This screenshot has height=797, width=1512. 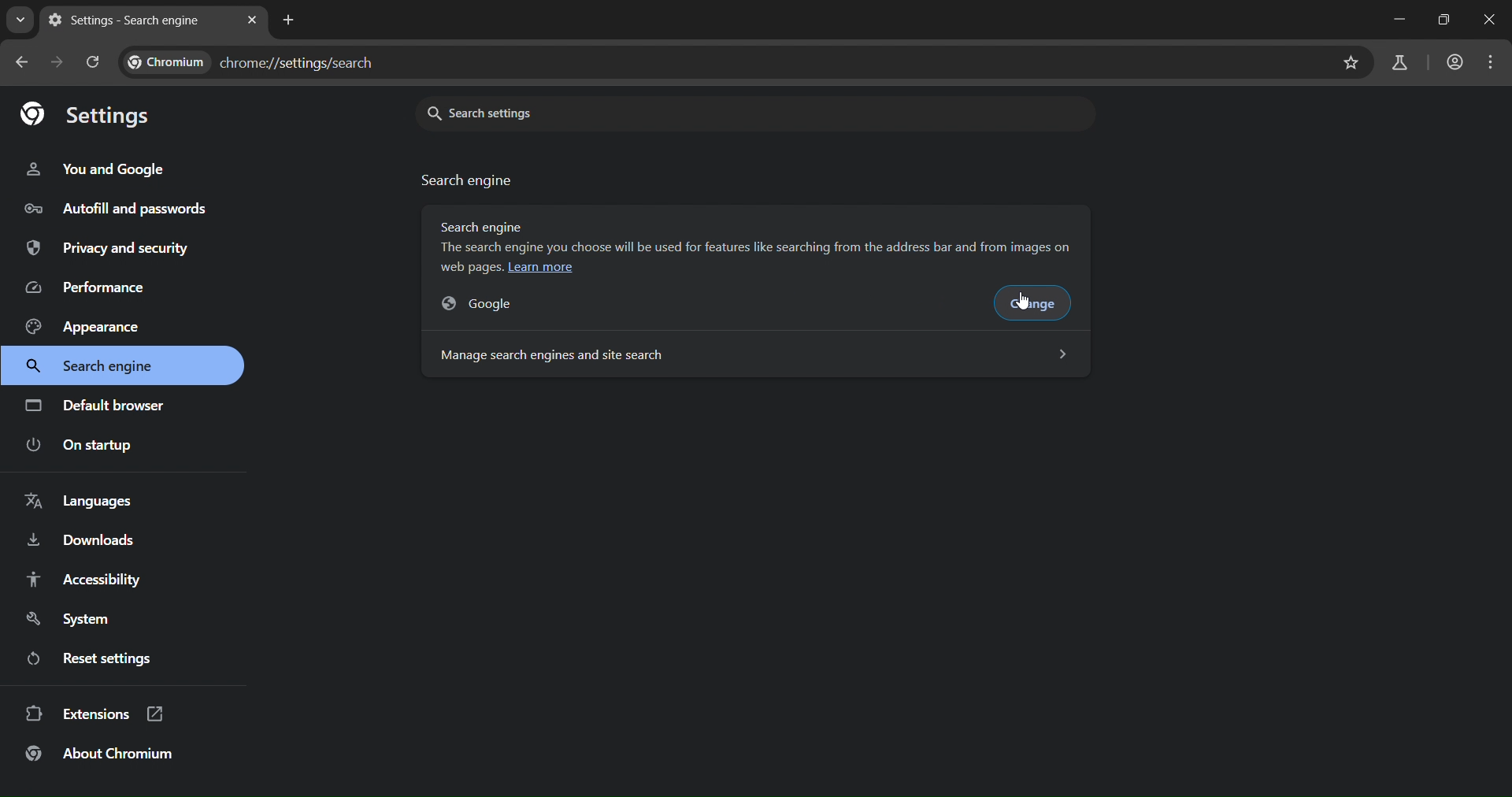 What do you see at coordinates (98, 405) in the screenshot?
I see `default browser` at bounding box center [98, 405].